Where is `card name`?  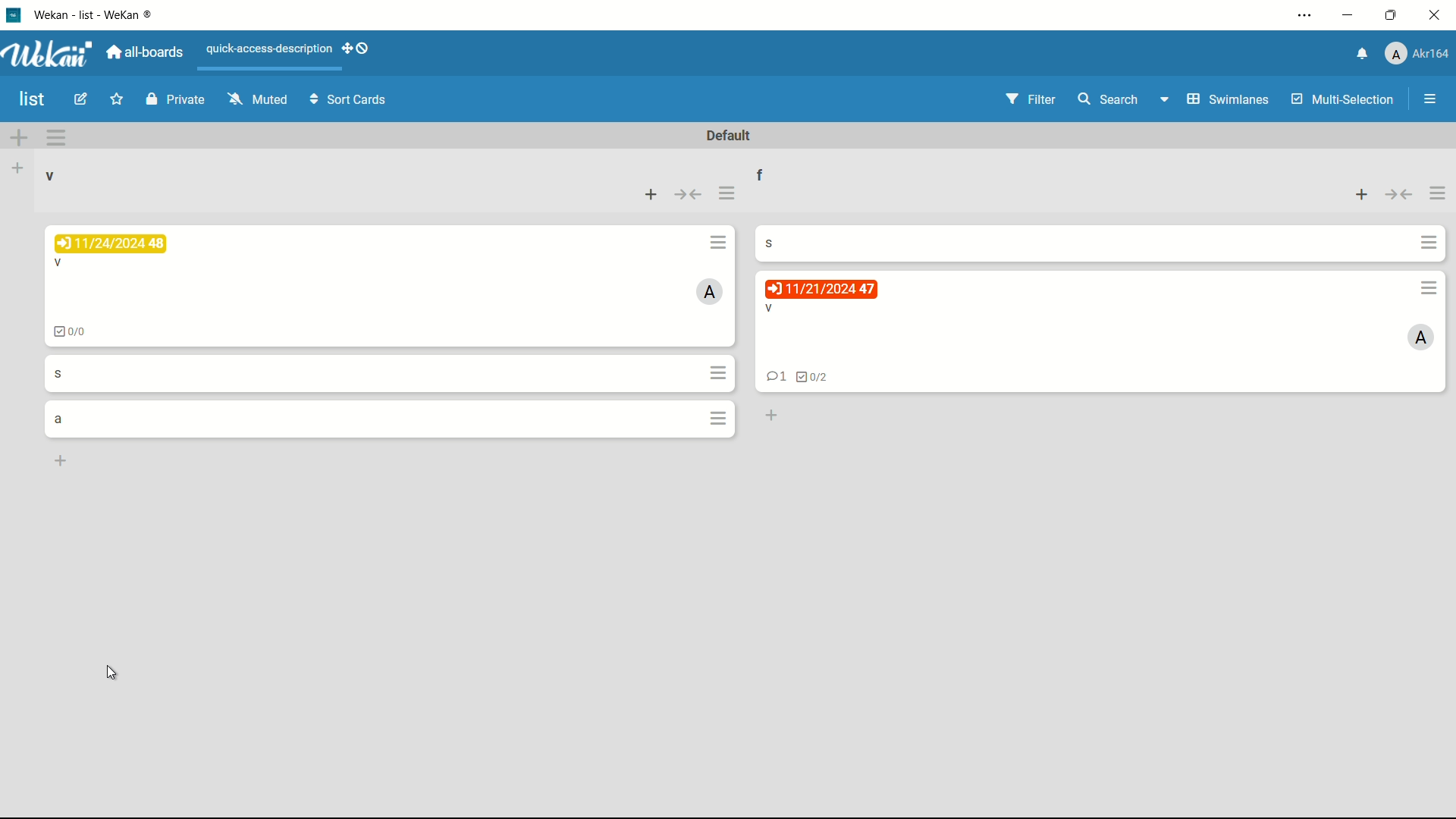 card name is located at coordinates (60, 419).